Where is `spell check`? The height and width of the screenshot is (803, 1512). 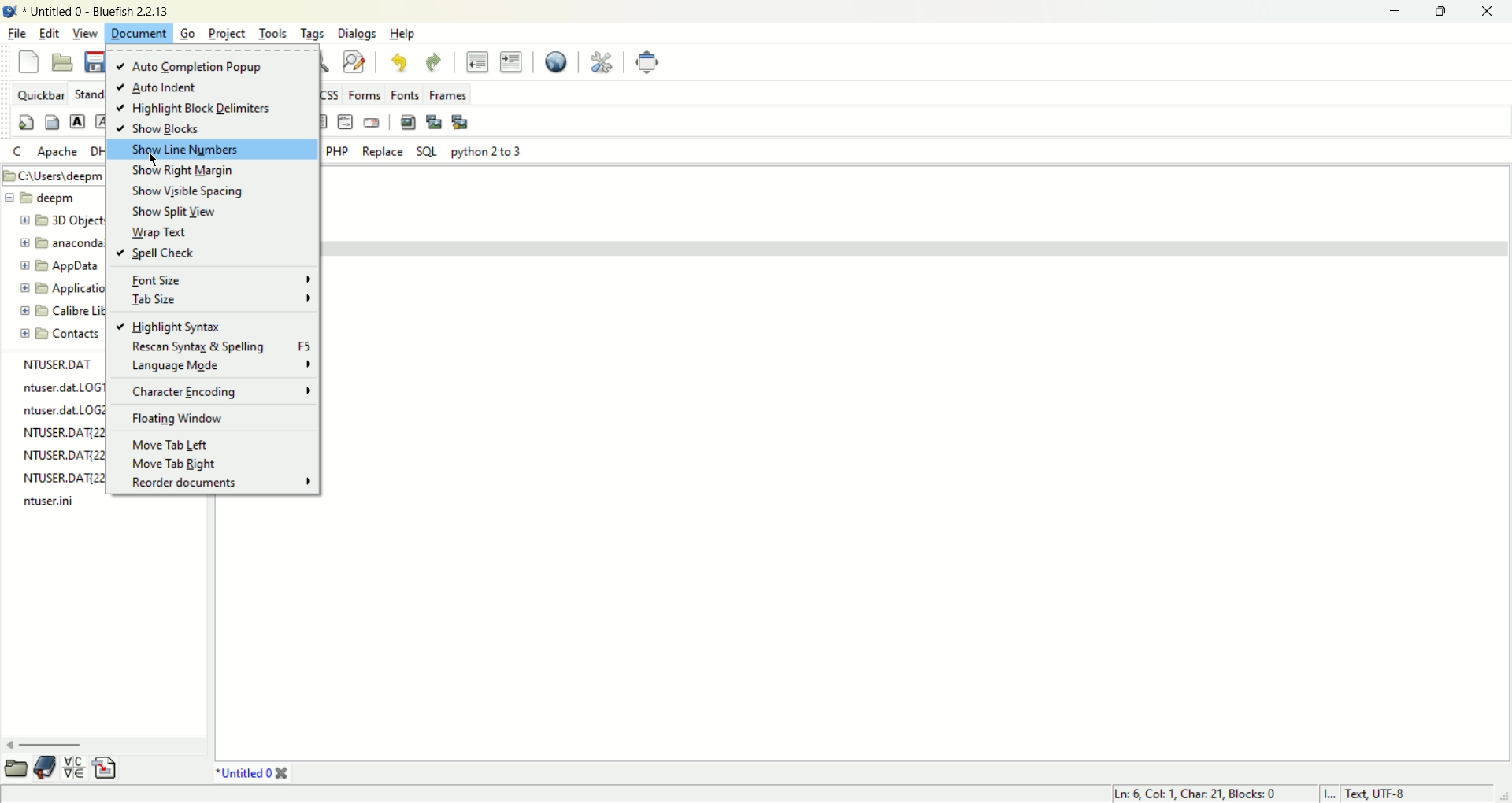
spell check is located at coordinates (153, 252).